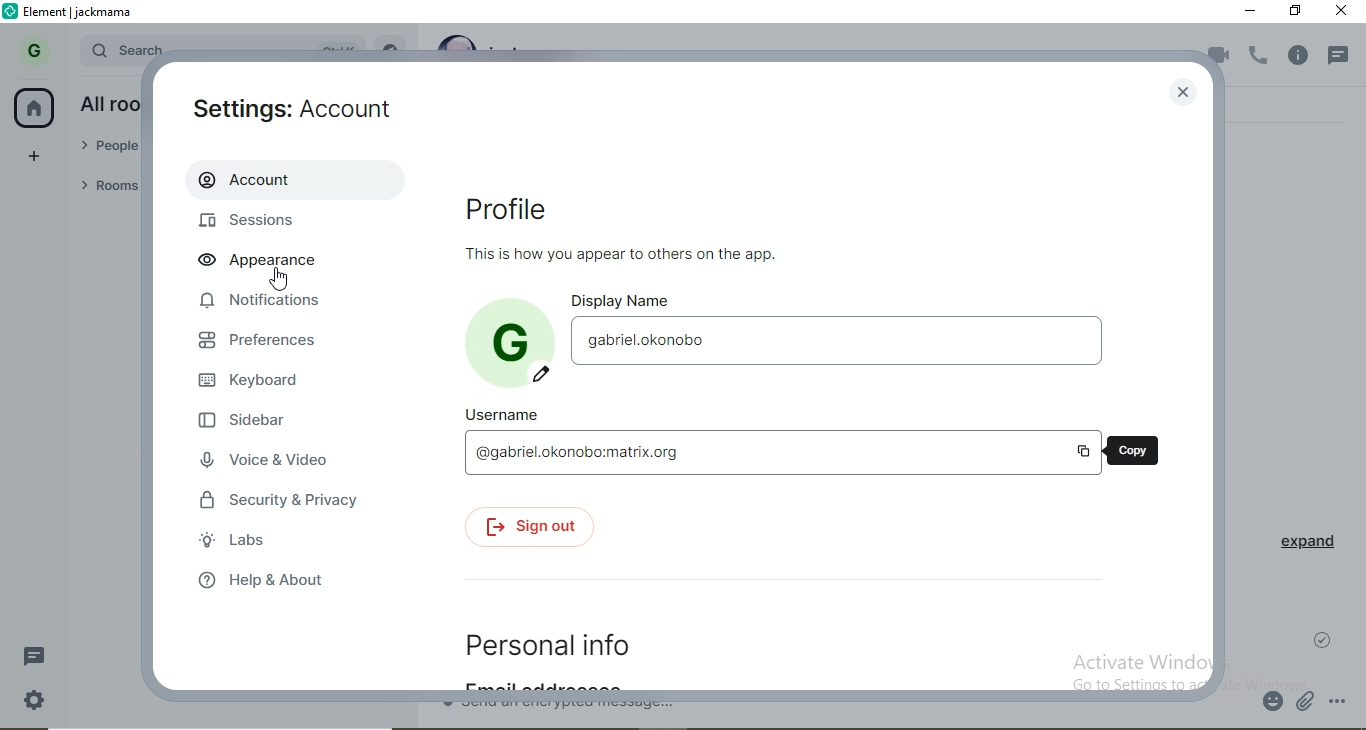 The width and height of the screenshot is (1366, 730). What do you see at coordinates (107, 104) in the screenshot?
I see `all rooms` at bounding box center [107, 104].